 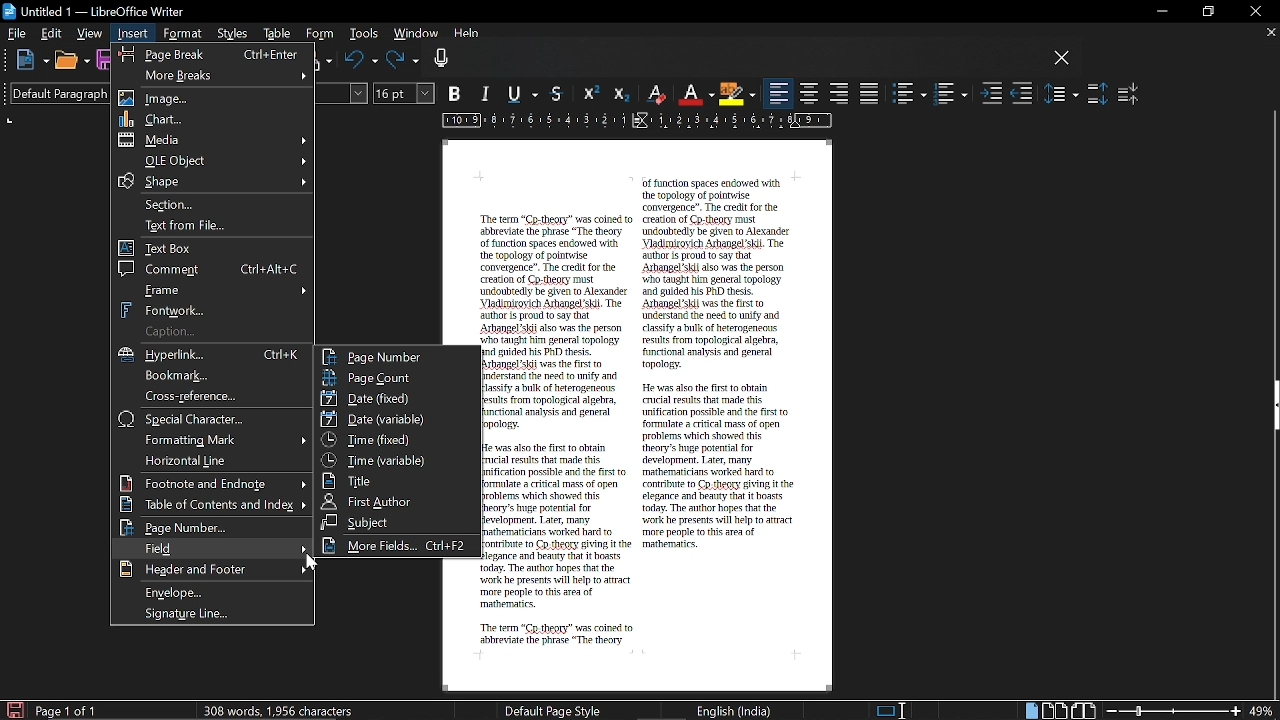 I want to click on Side bar, so click(x=1272, y=408).